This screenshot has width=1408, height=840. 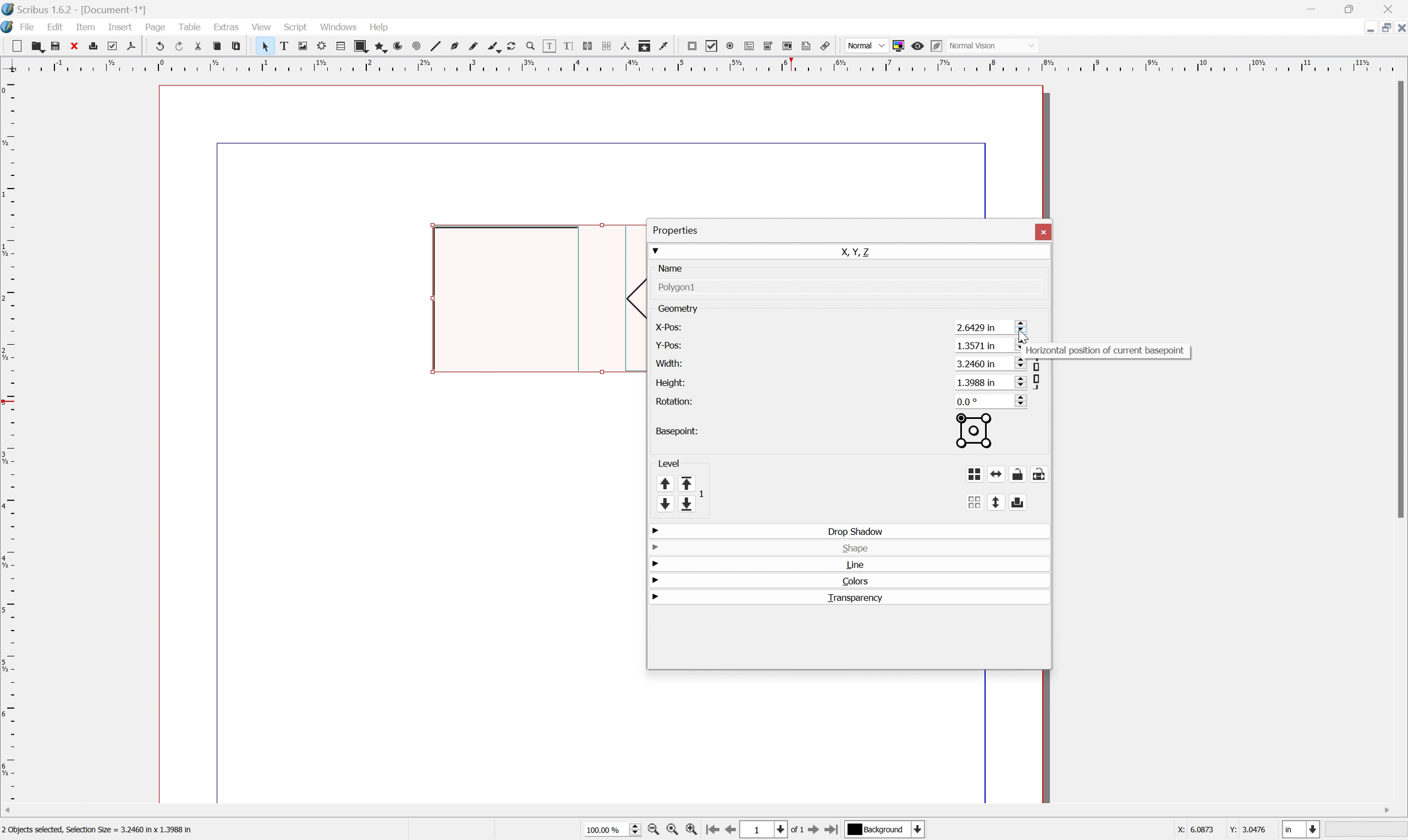 What do you see at coordinates (605, 46) in the screenshot?
I see `unlink text frames` at bounding box center [605, 46].